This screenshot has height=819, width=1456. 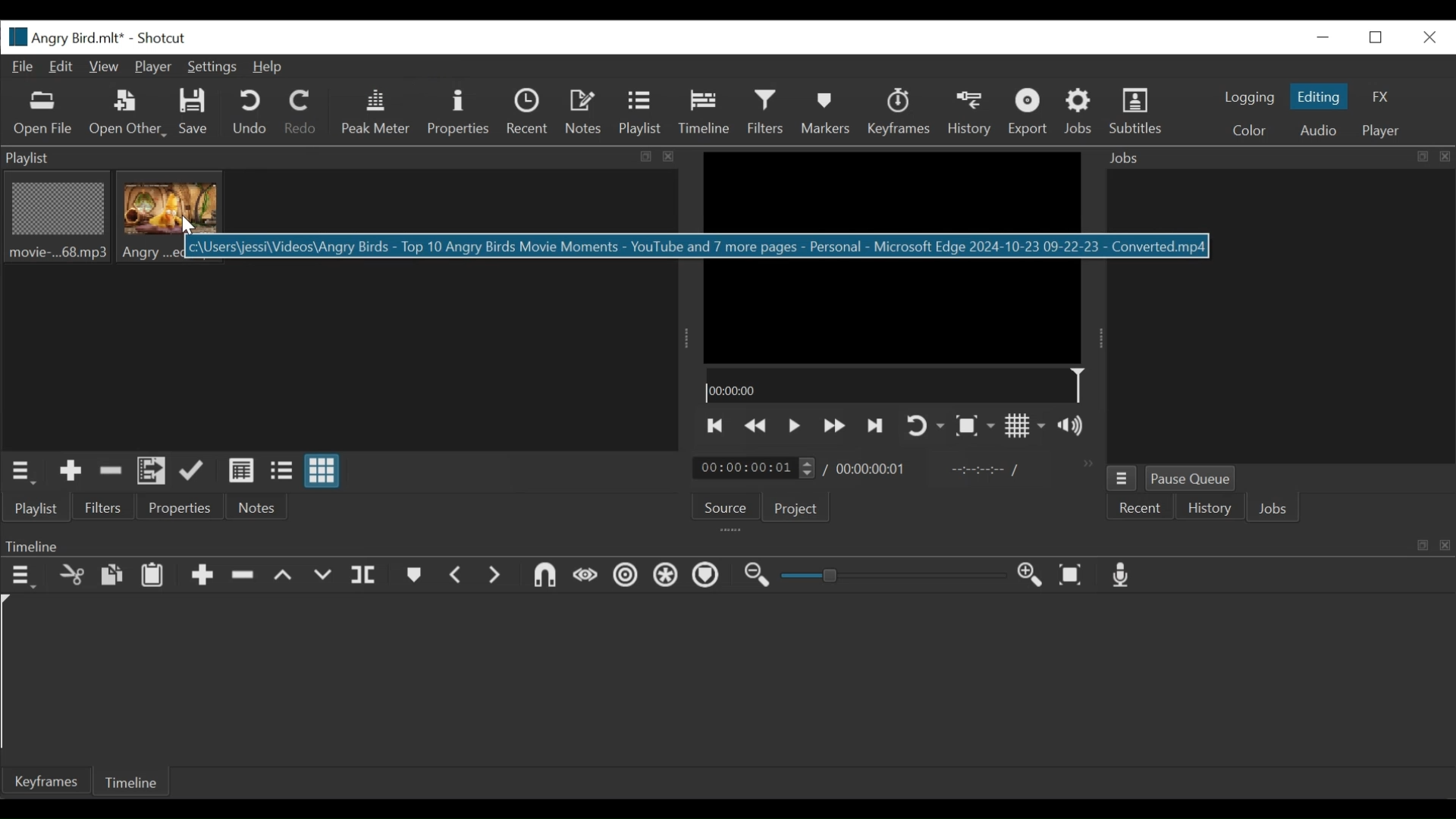 I want to click on Filters, so click(x=766, y=113).